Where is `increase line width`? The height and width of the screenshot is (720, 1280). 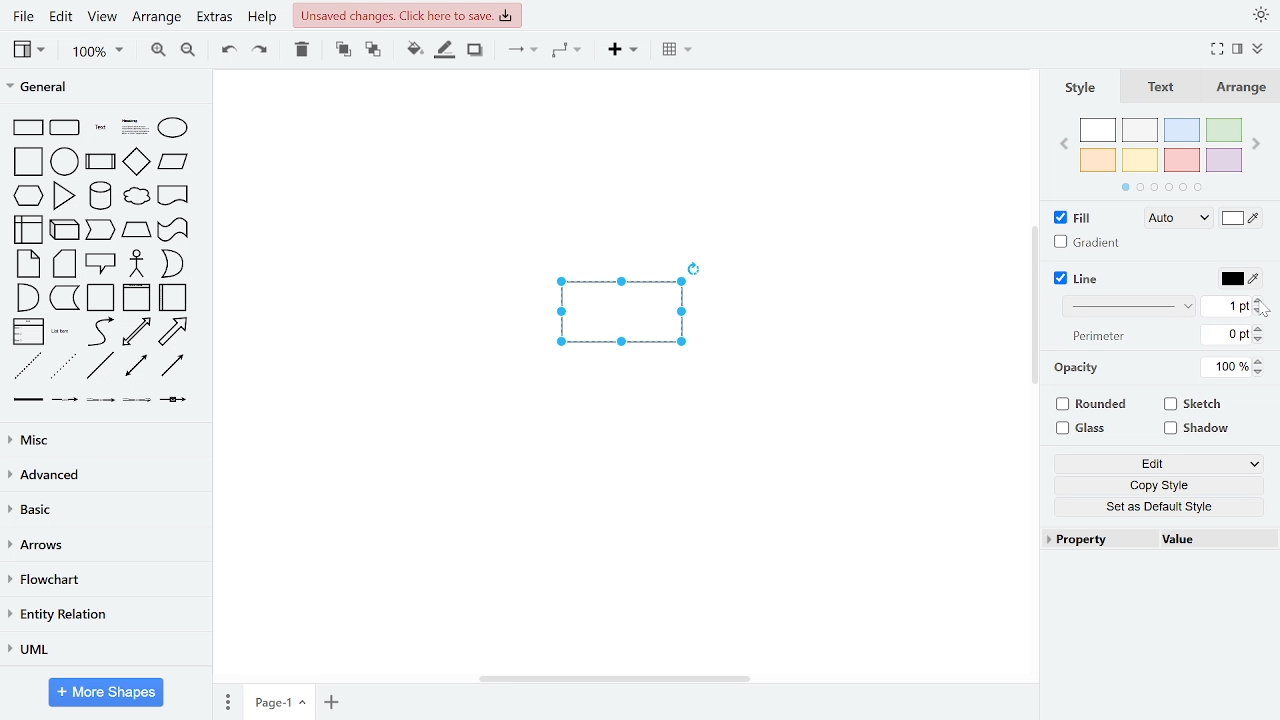
increase line width is located at coordinates (1259, 300).